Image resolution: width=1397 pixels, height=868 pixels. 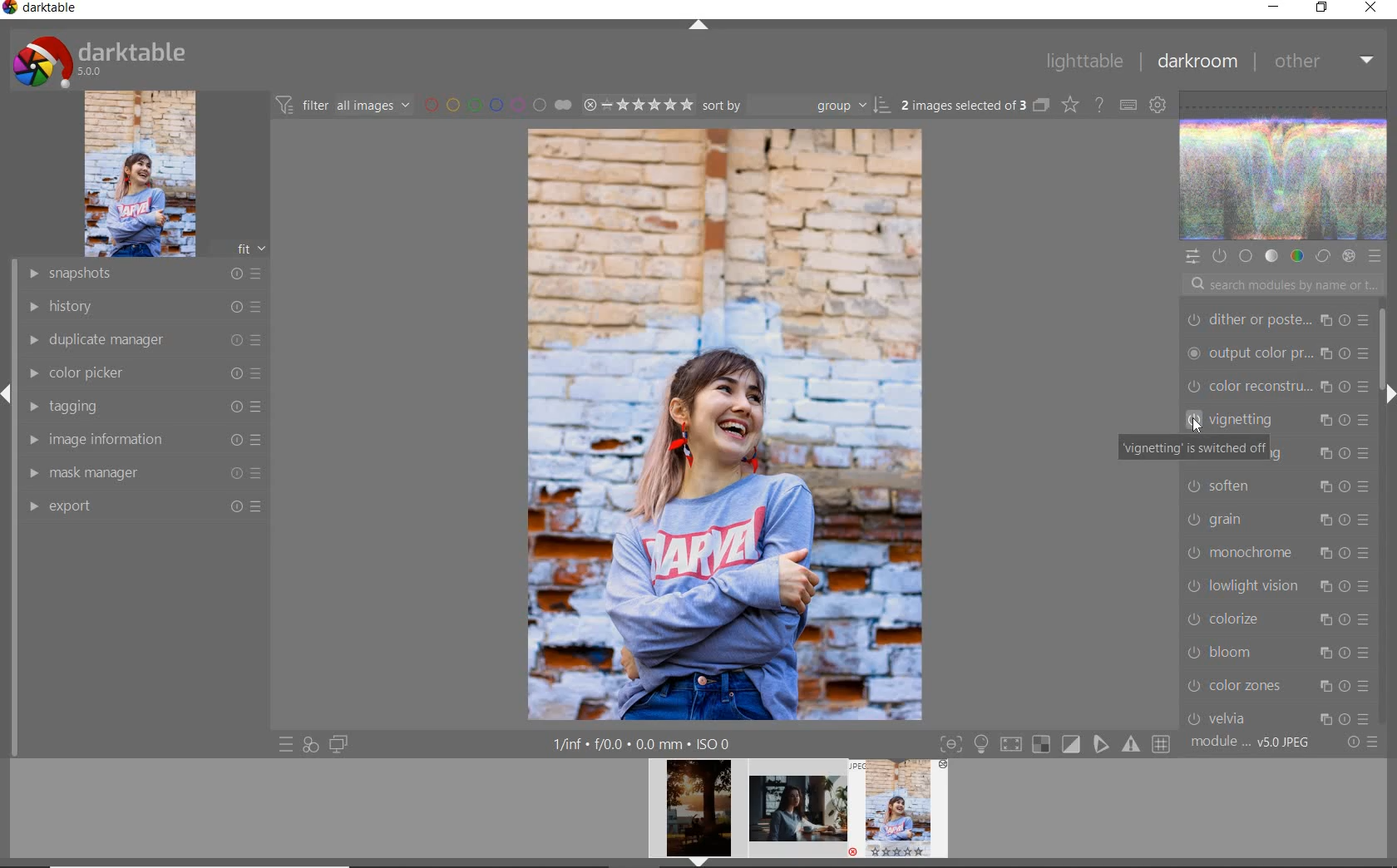 I want to click on export, so click(x=143, y=506).